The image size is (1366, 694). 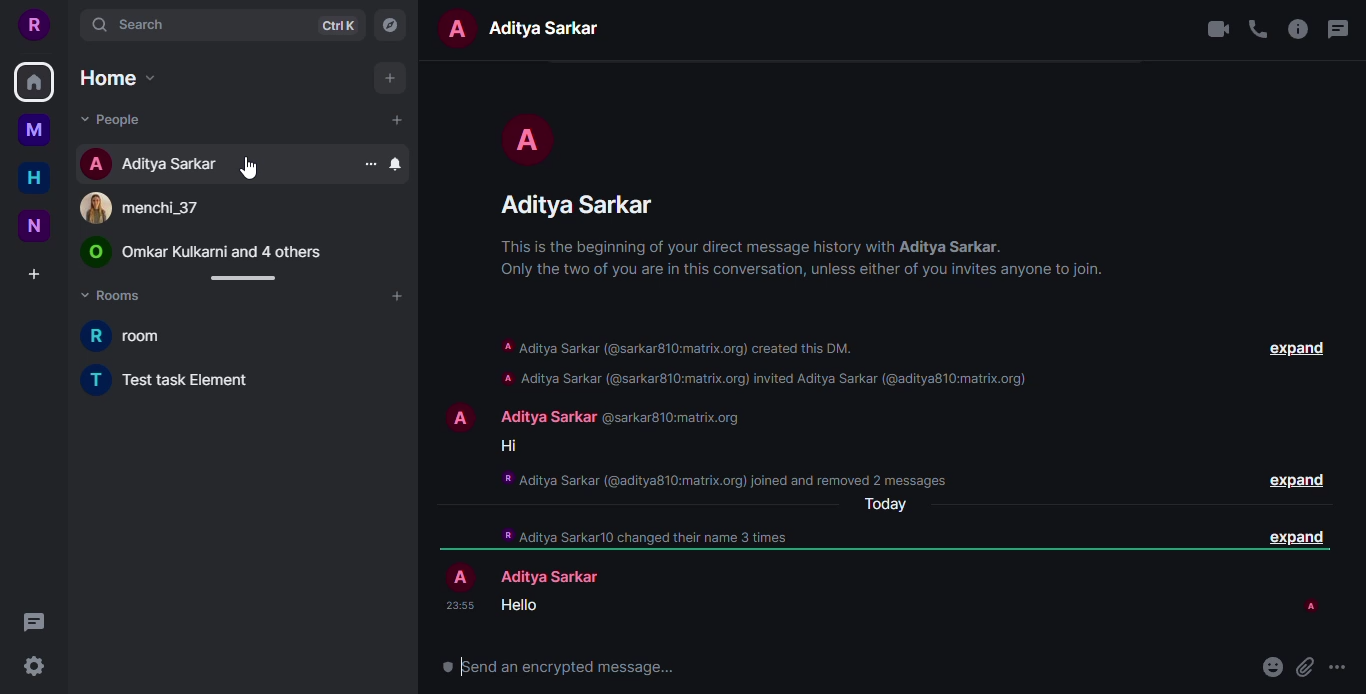 I want to click on new, so click(x=33, y=226).